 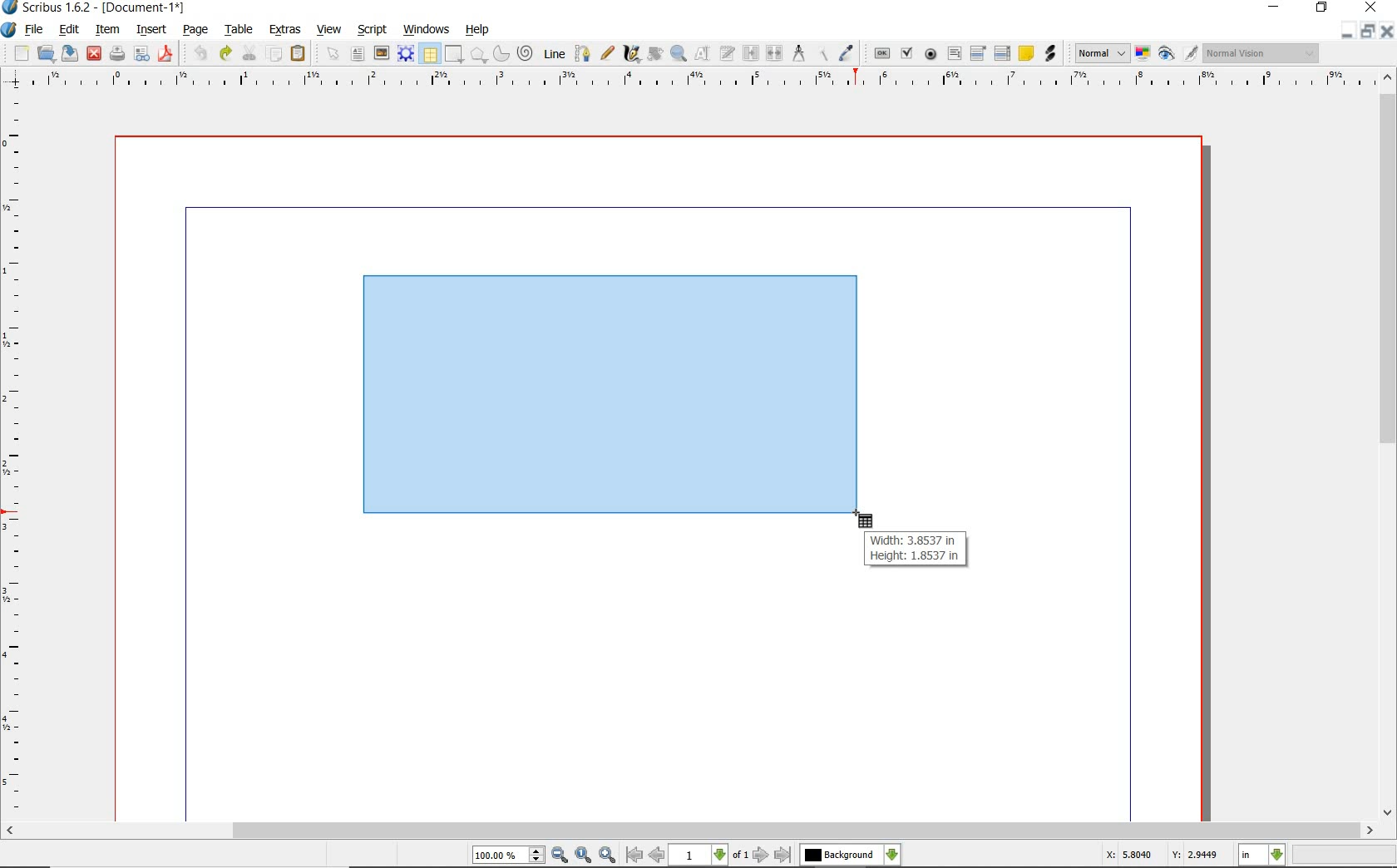 What do you see at coordinates (582, 53) in the screenshot?
I see `bezier curve` at bounding box center [582, 53].